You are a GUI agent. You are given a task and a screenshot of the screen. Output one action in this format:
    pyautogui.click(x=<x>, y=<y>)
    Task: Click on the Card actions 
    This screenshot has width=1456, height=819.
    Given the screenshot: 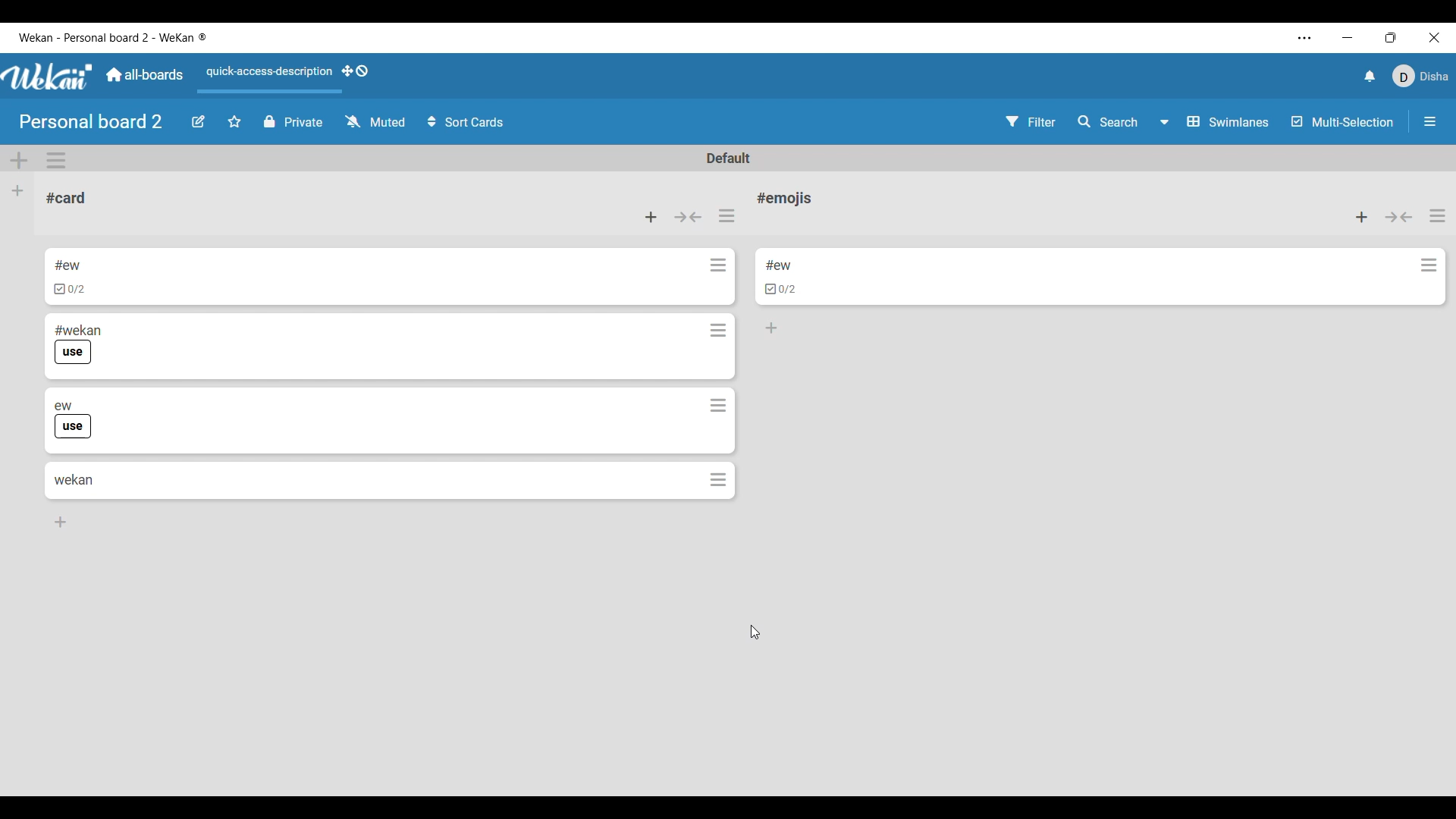 What is the action you would take?
    pyautogui.click(x=718, y=328)
    